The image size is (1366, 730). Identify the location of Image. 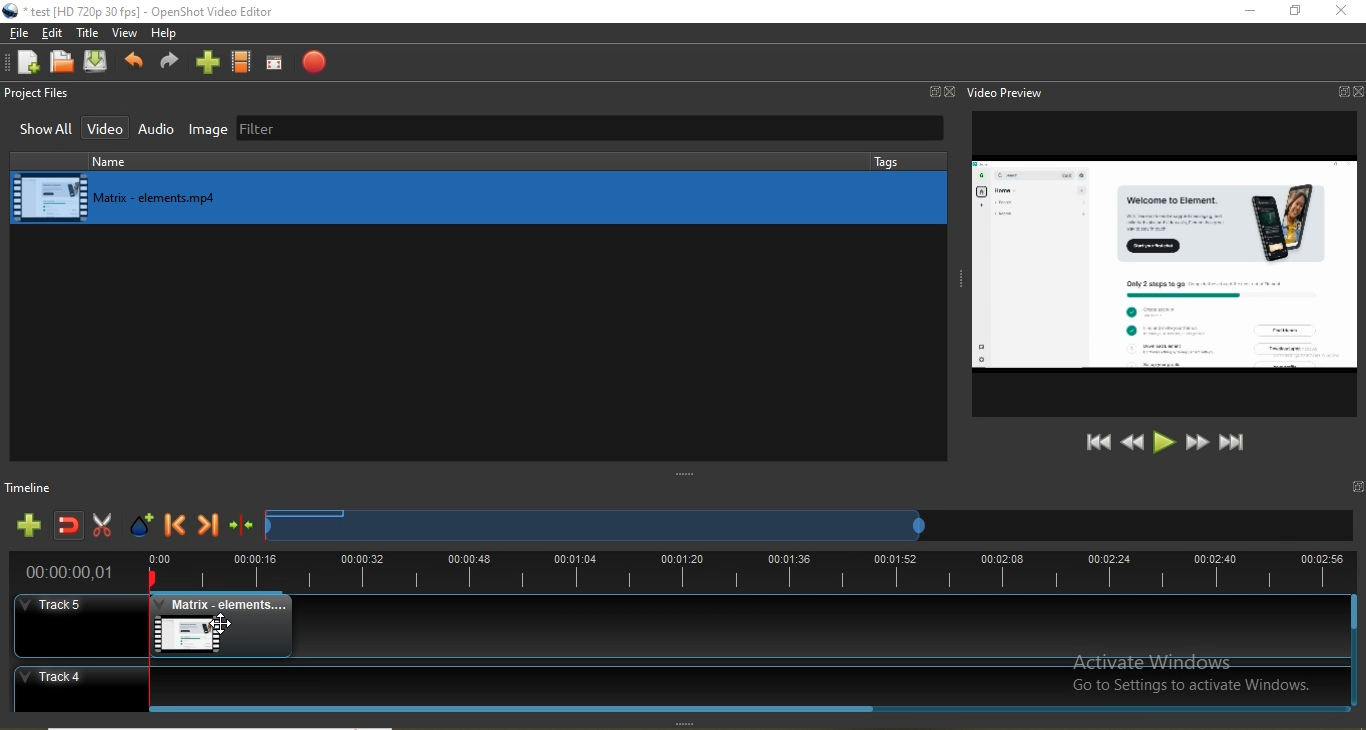
(208, 132).